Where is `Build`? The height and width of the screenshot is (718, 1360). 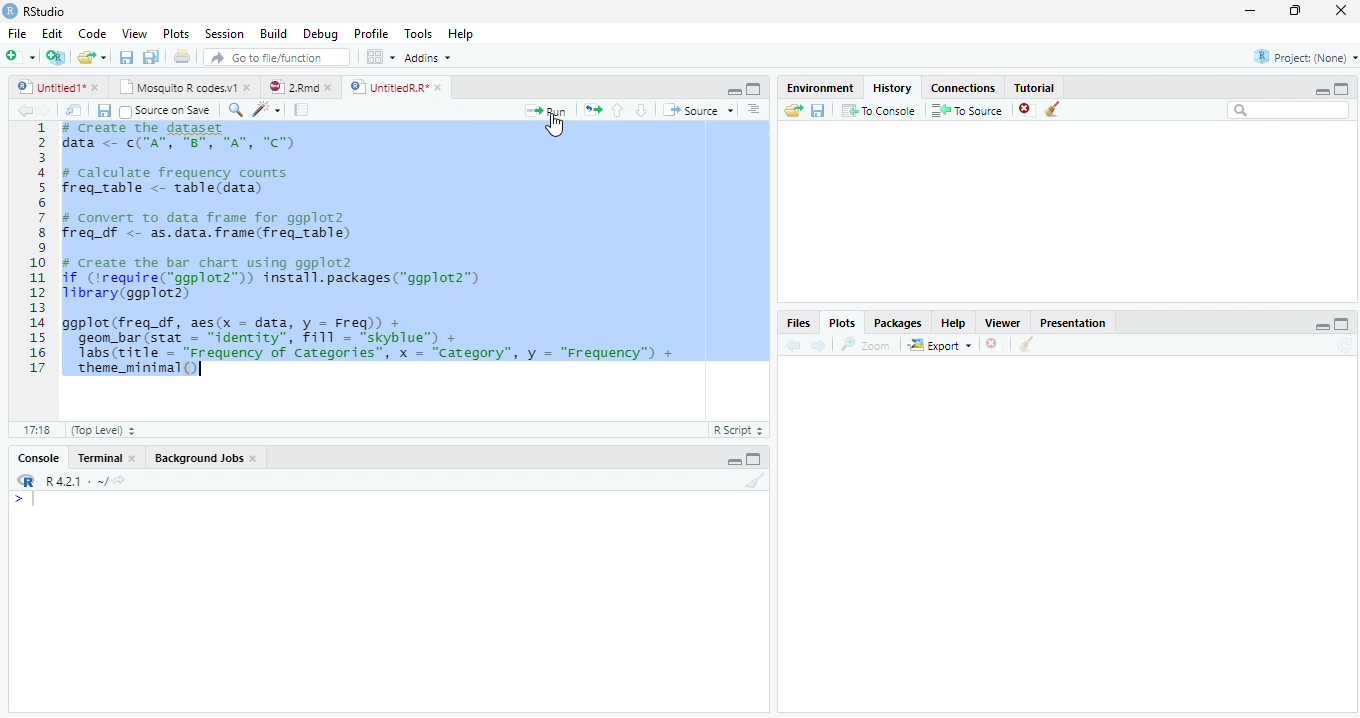
Build is located at coordinates (275, 34).